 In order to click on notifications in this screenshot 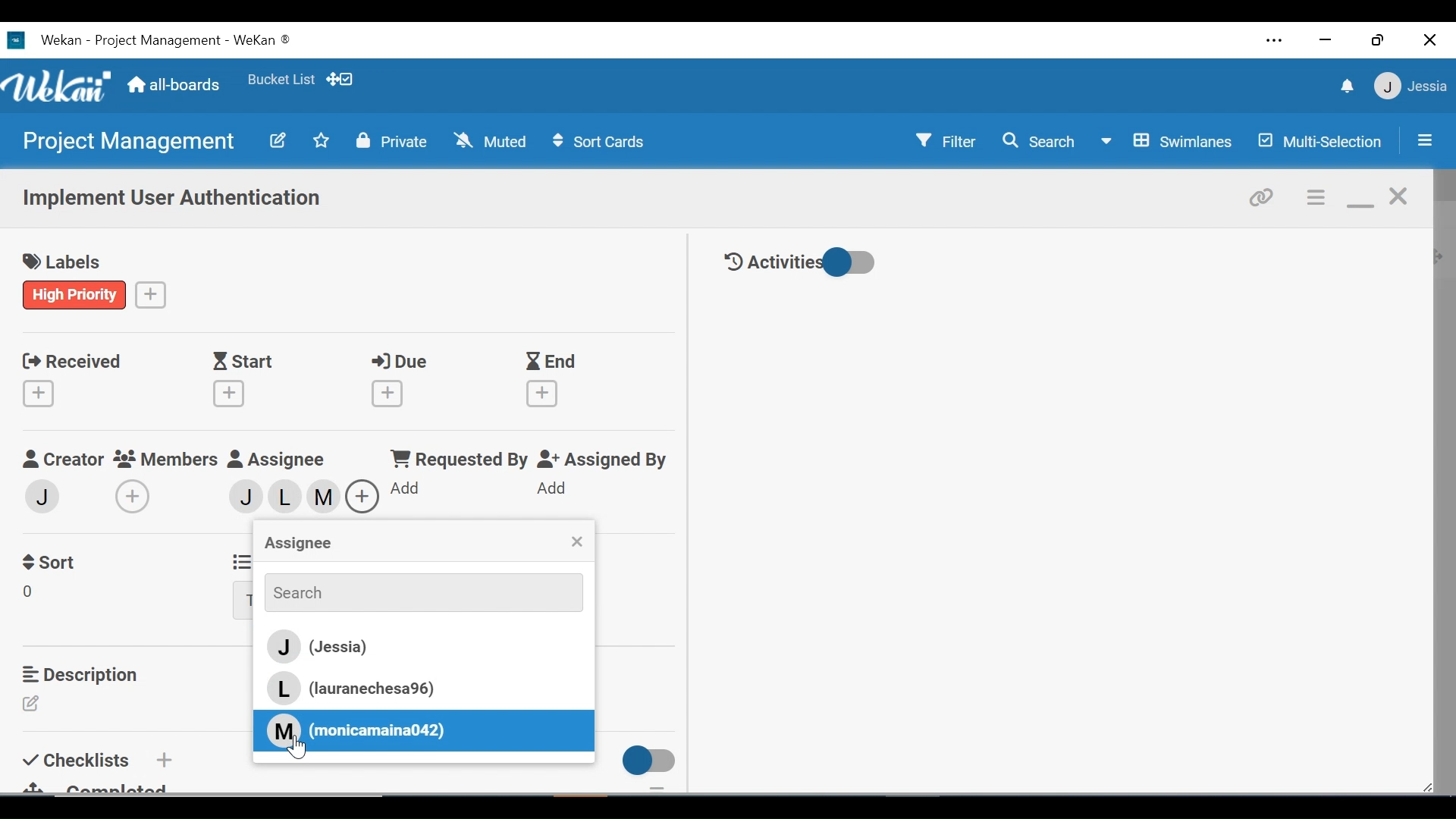, I will do `click(1345, 86)`.